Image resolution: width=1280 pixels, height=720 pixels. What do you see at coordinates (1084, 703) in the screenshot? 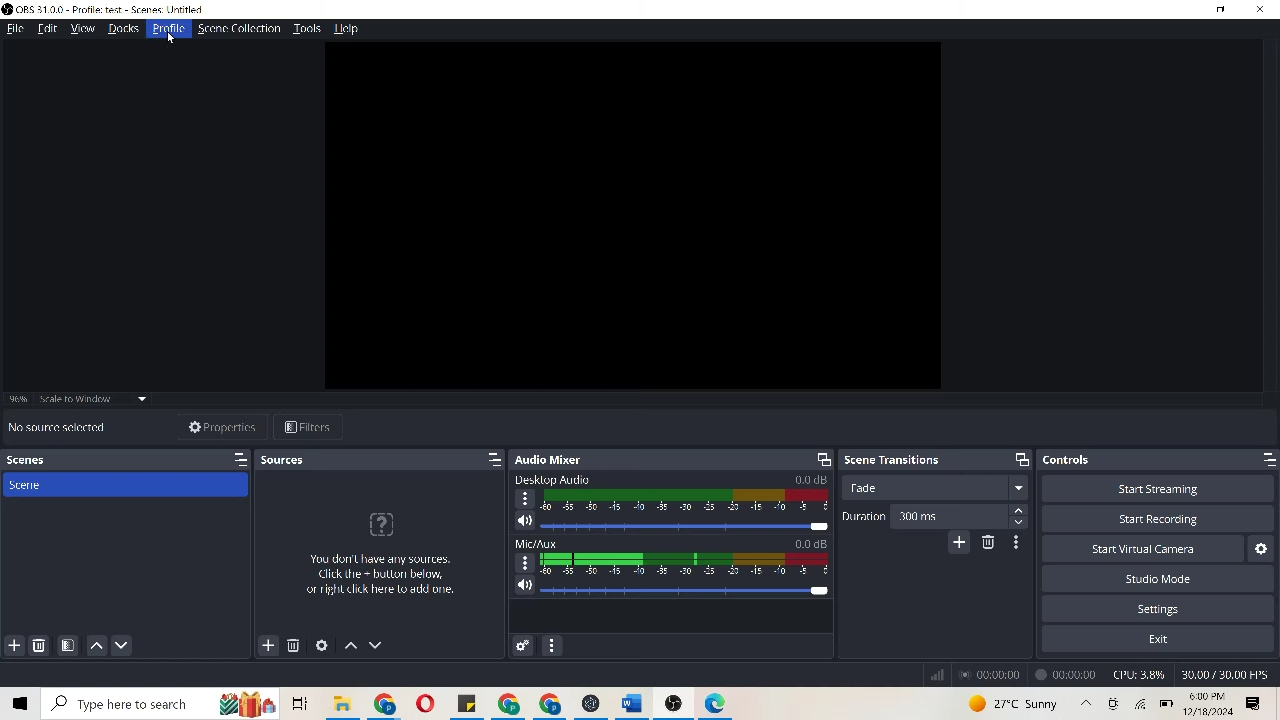
I see `up` at bounding box center [1084, 703].